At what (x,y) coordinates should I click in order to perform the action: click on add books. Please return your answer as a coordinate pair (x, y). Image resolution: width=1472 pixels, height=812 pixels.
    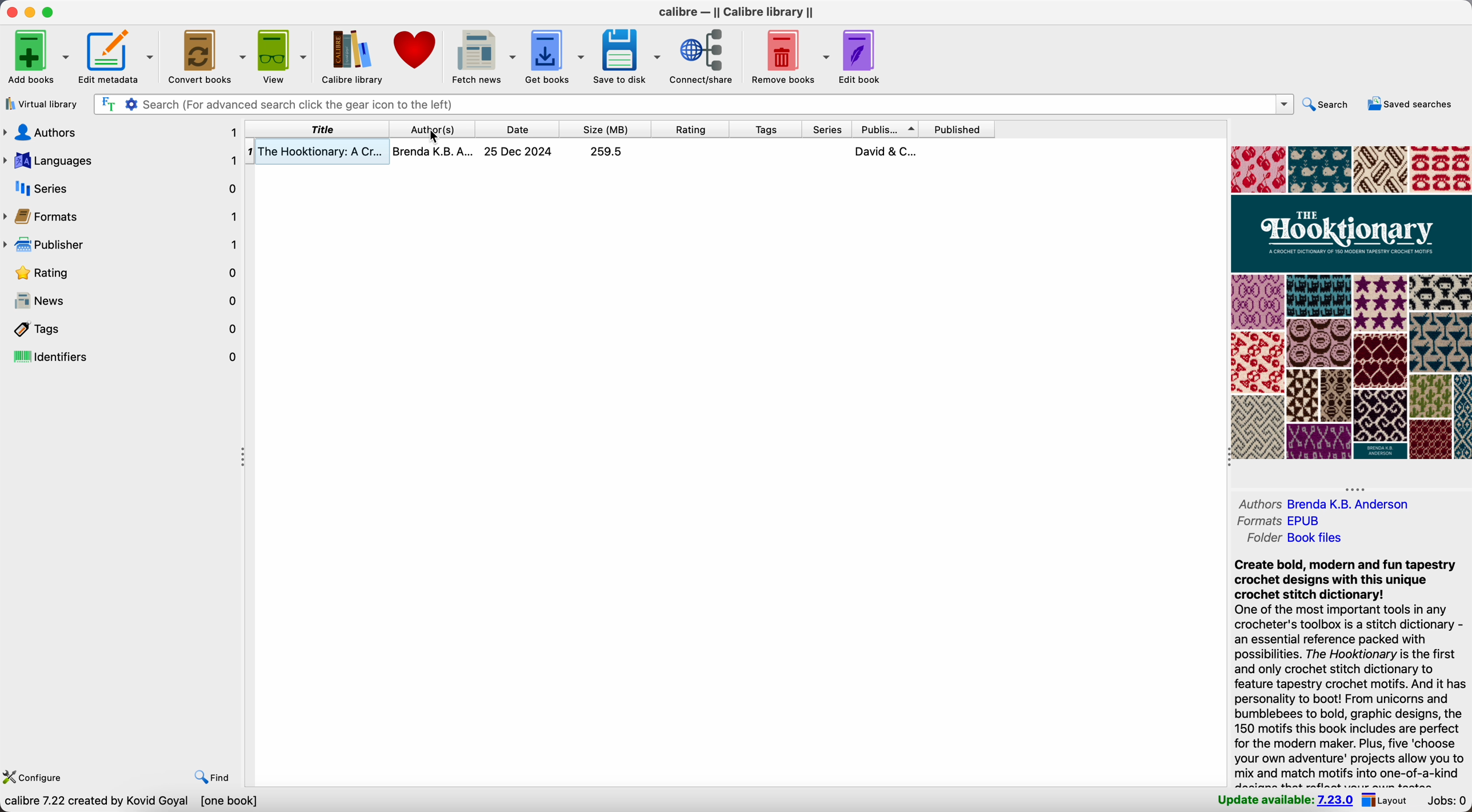
    Looking at the image, I should click on (36, 57).